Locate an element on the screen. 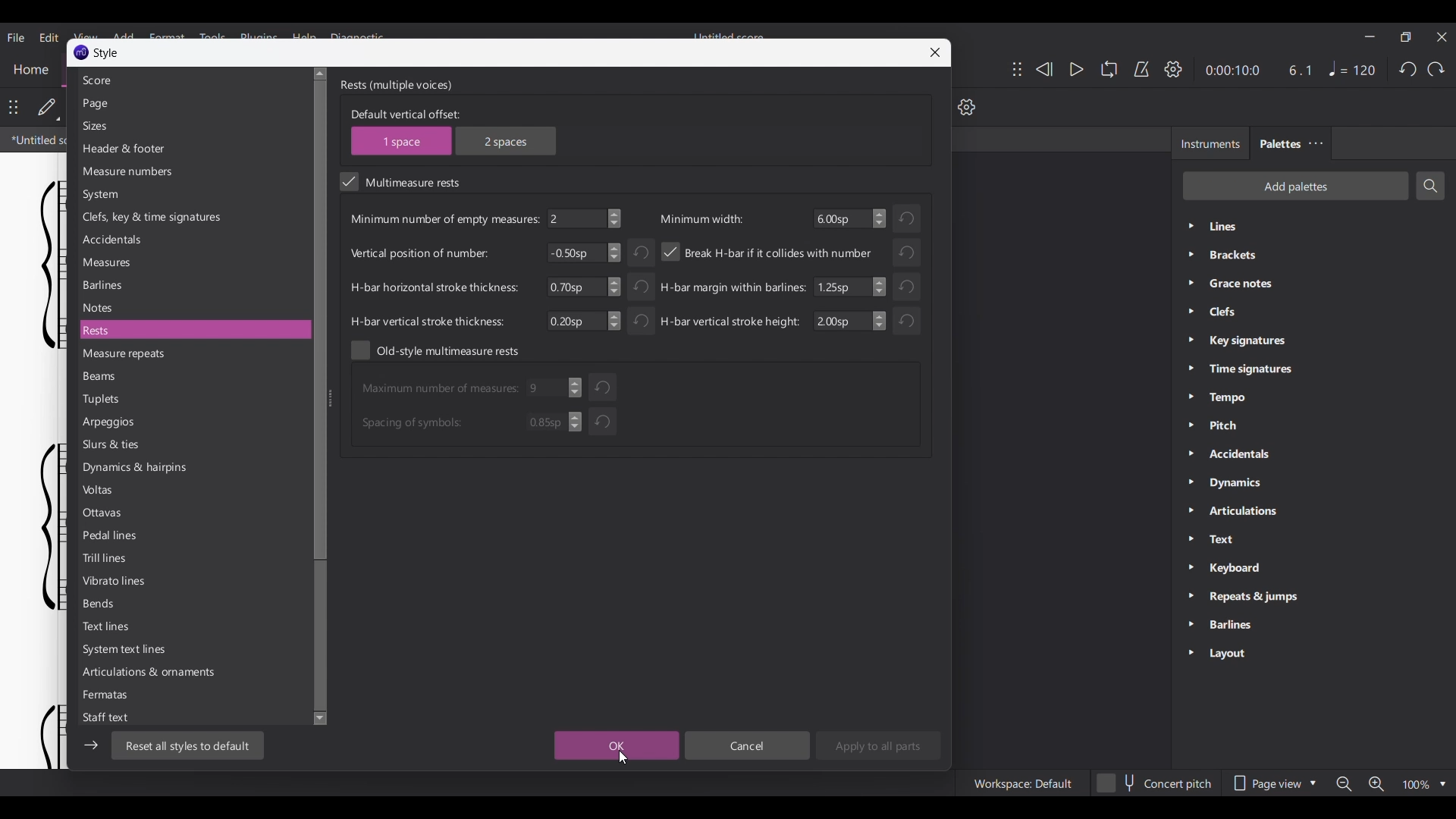 Image resolution: width=1456 pixels, height=819 pixels. Change width of respective panel is located at coordinates (331, 381).